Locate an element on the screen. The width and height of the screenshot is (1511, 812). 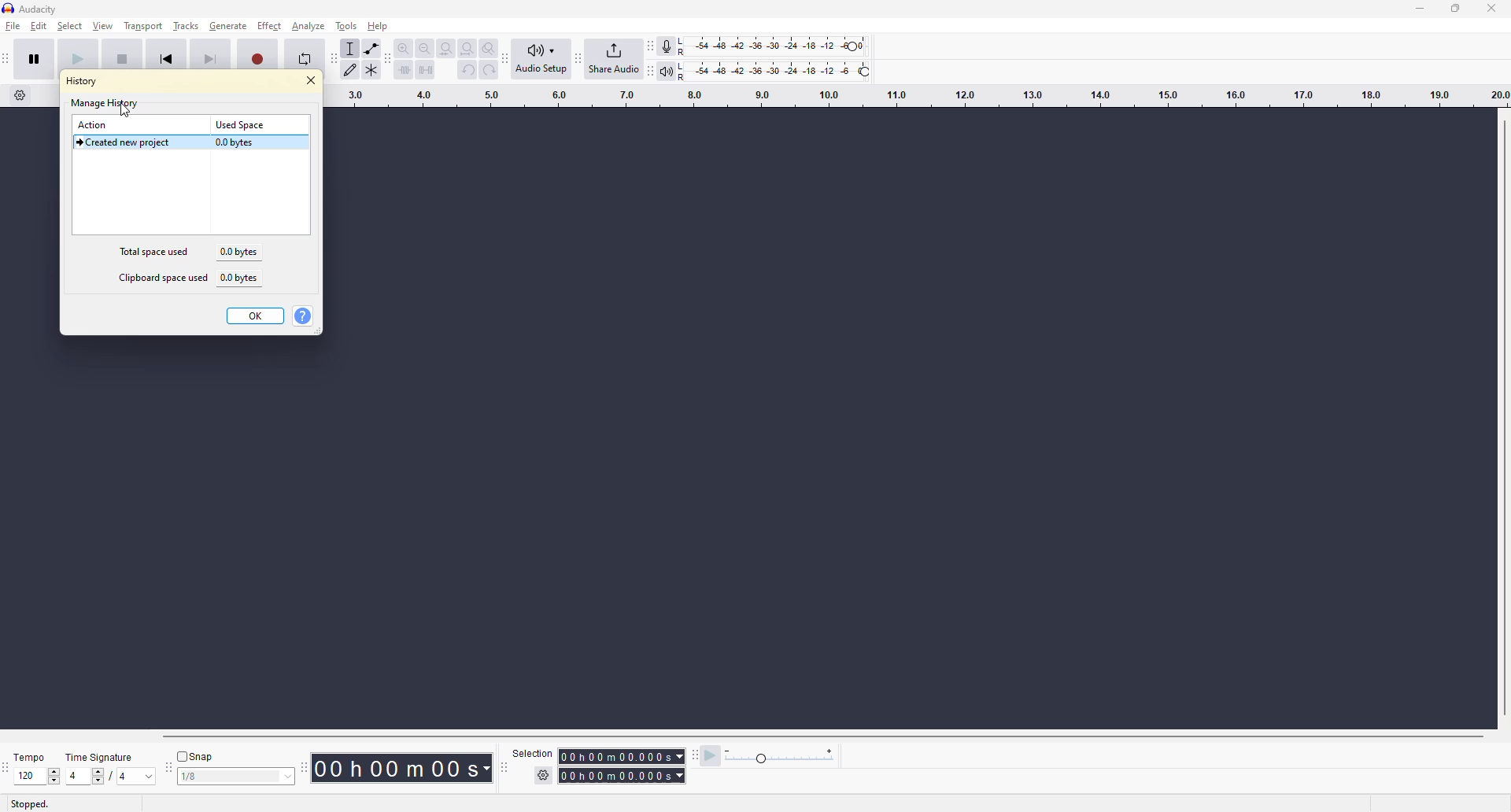
0.0 bytes is located at coordinates (239, 252).